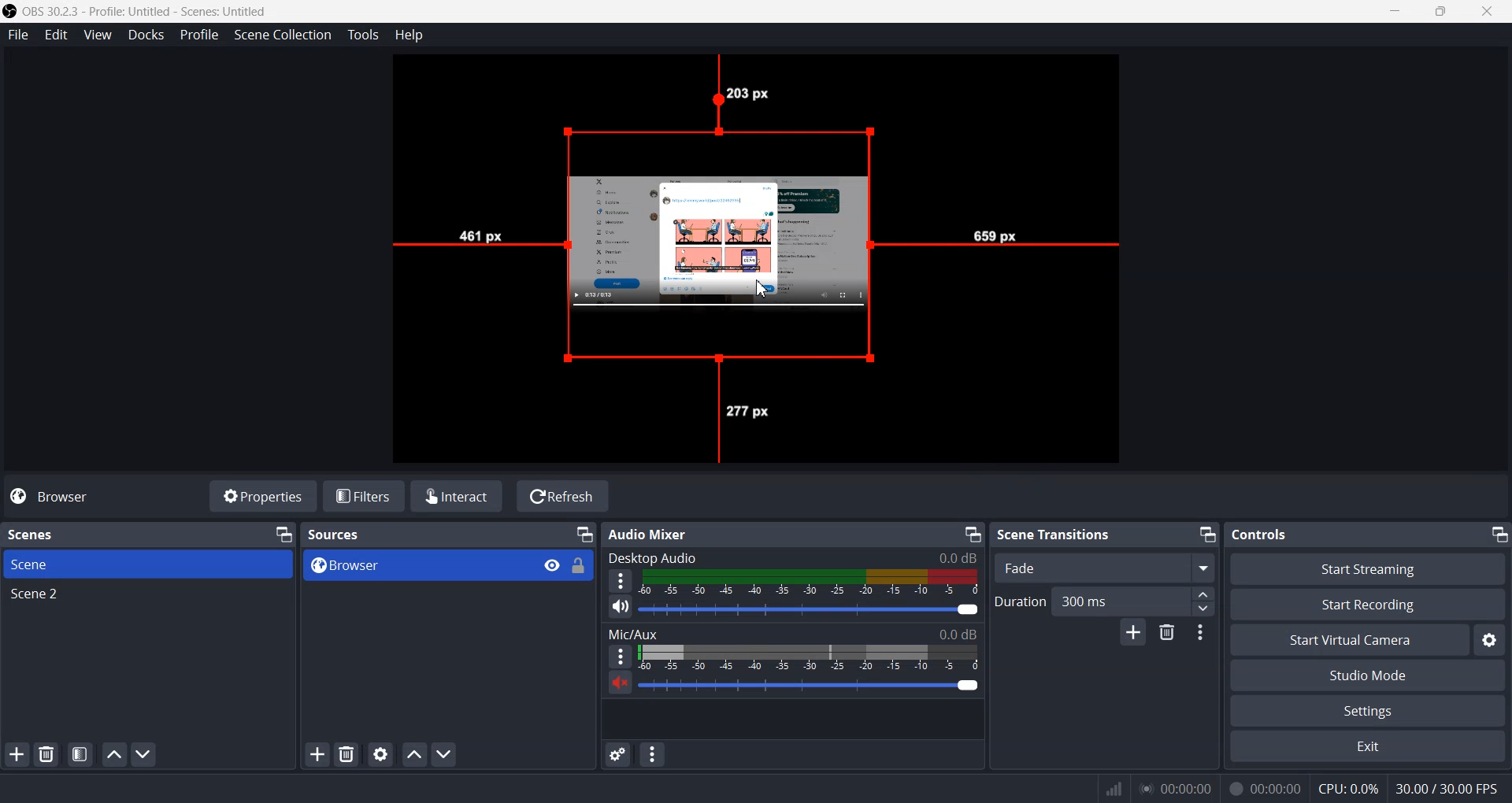 The image size is (1512, 803). What do you see at coordinates (1369, 710) in the screenshot?
I see `Settings` at bounding box center [1369, 710].